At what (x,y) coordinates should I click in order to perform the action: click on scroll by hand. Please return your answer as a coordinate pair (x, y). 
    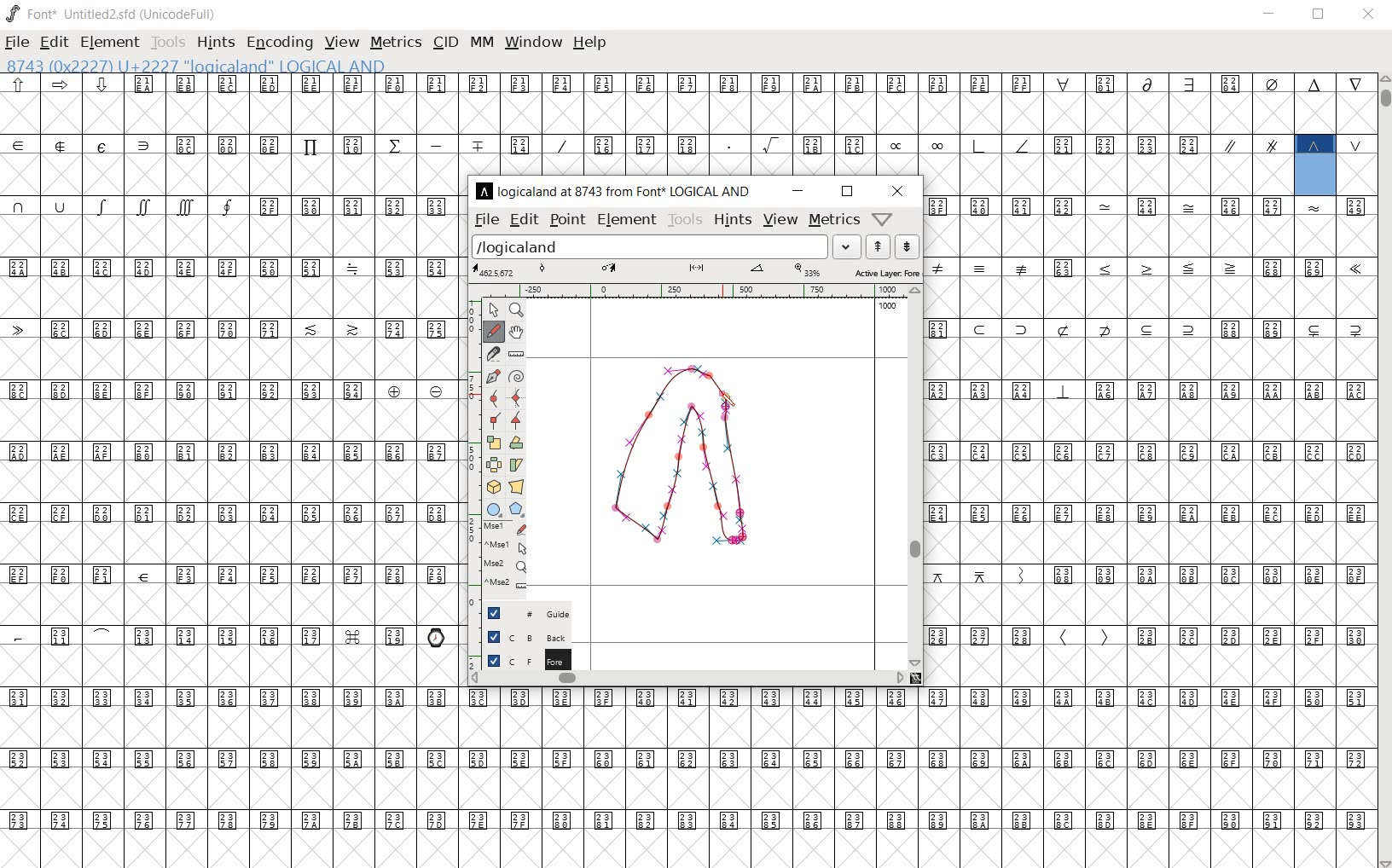
    Looking at the image, I should click on (518, 331).